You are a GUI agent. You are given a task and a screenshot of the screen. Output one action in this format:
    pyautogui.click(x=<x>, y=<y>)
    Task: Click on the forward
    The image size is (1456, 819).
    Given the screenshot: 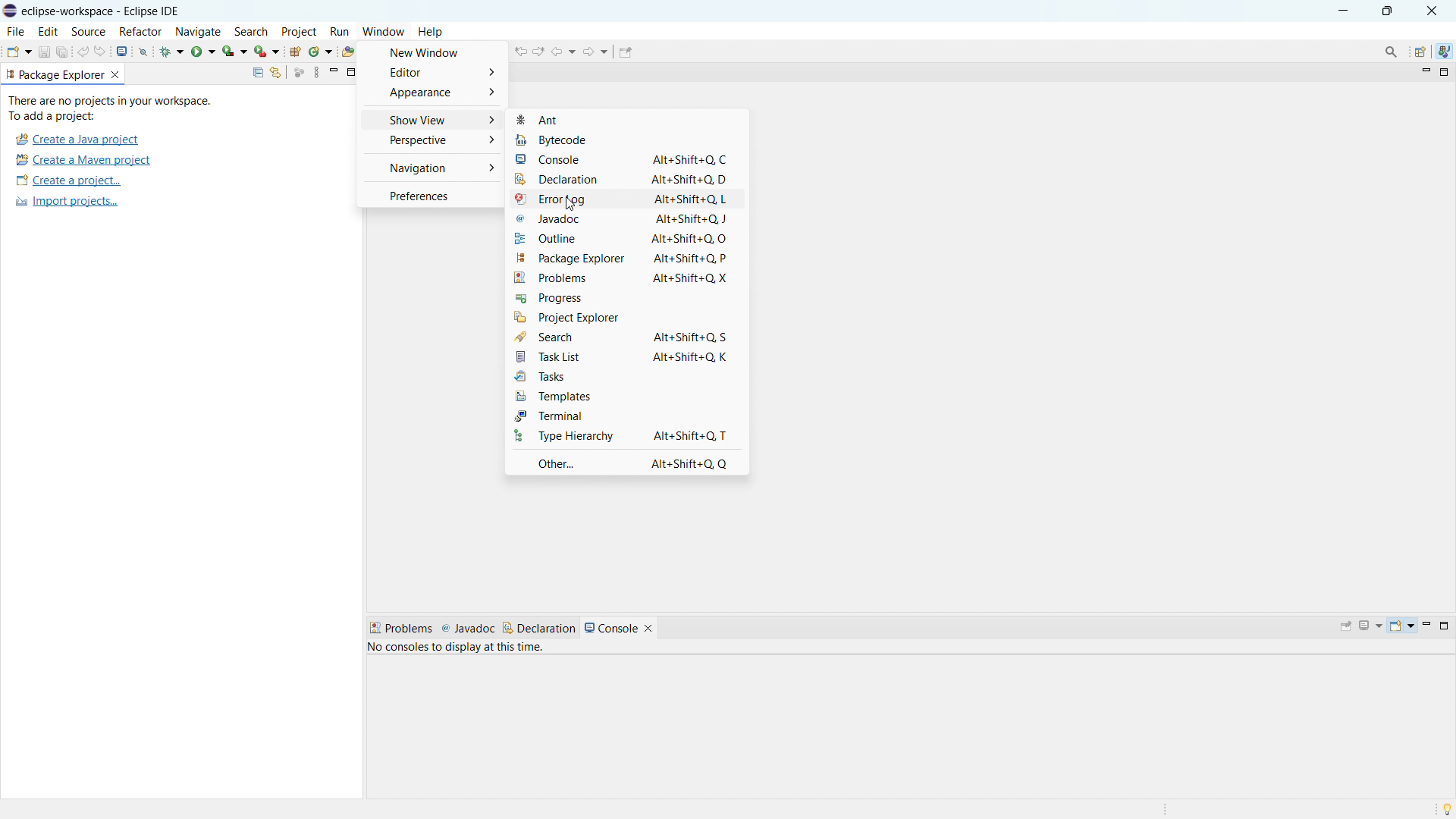 What is the action you would take?
    pyautogui.click(x=595, y=51)
    